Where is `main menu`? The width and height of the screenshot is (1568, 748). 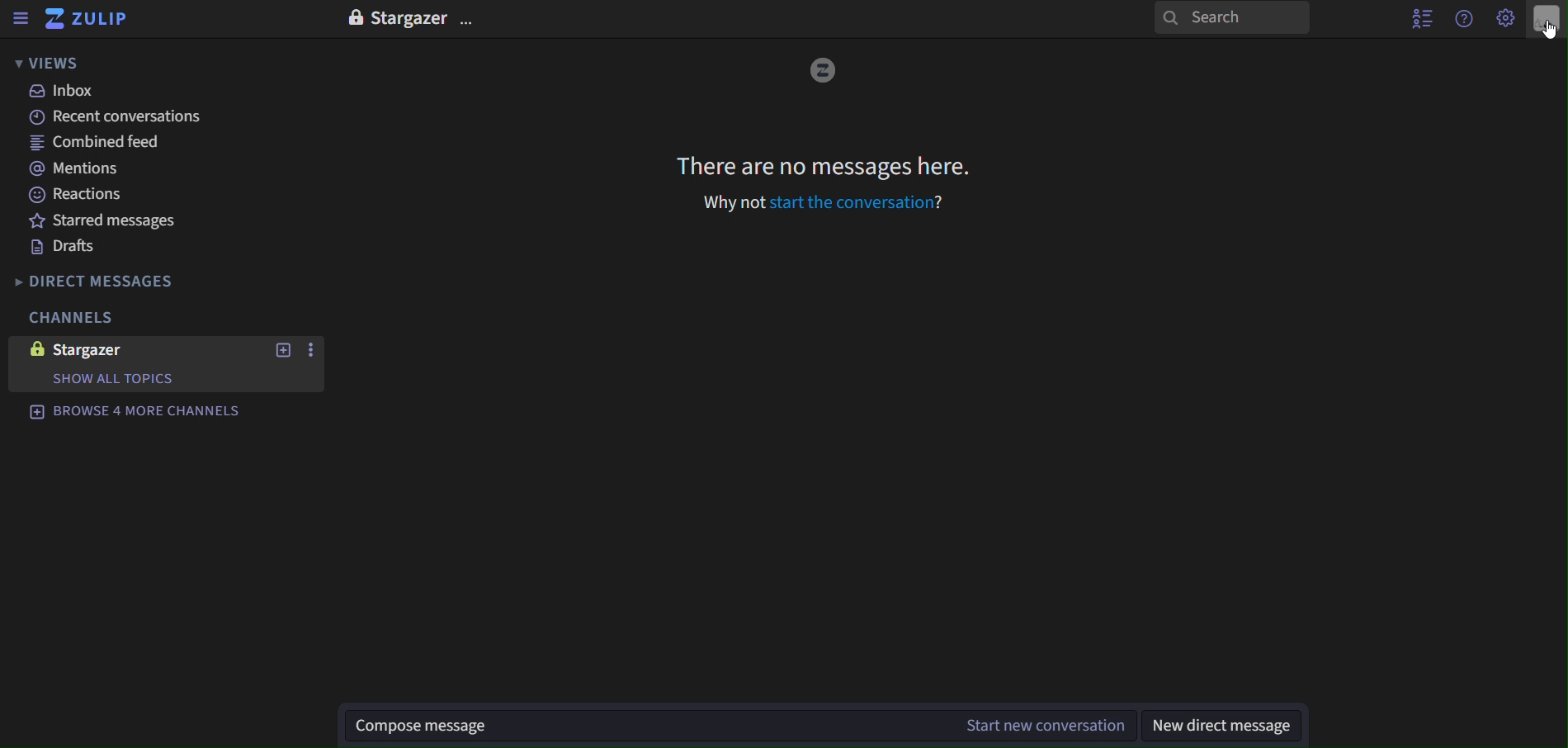
main menu is located at coordinates (1506, 17).